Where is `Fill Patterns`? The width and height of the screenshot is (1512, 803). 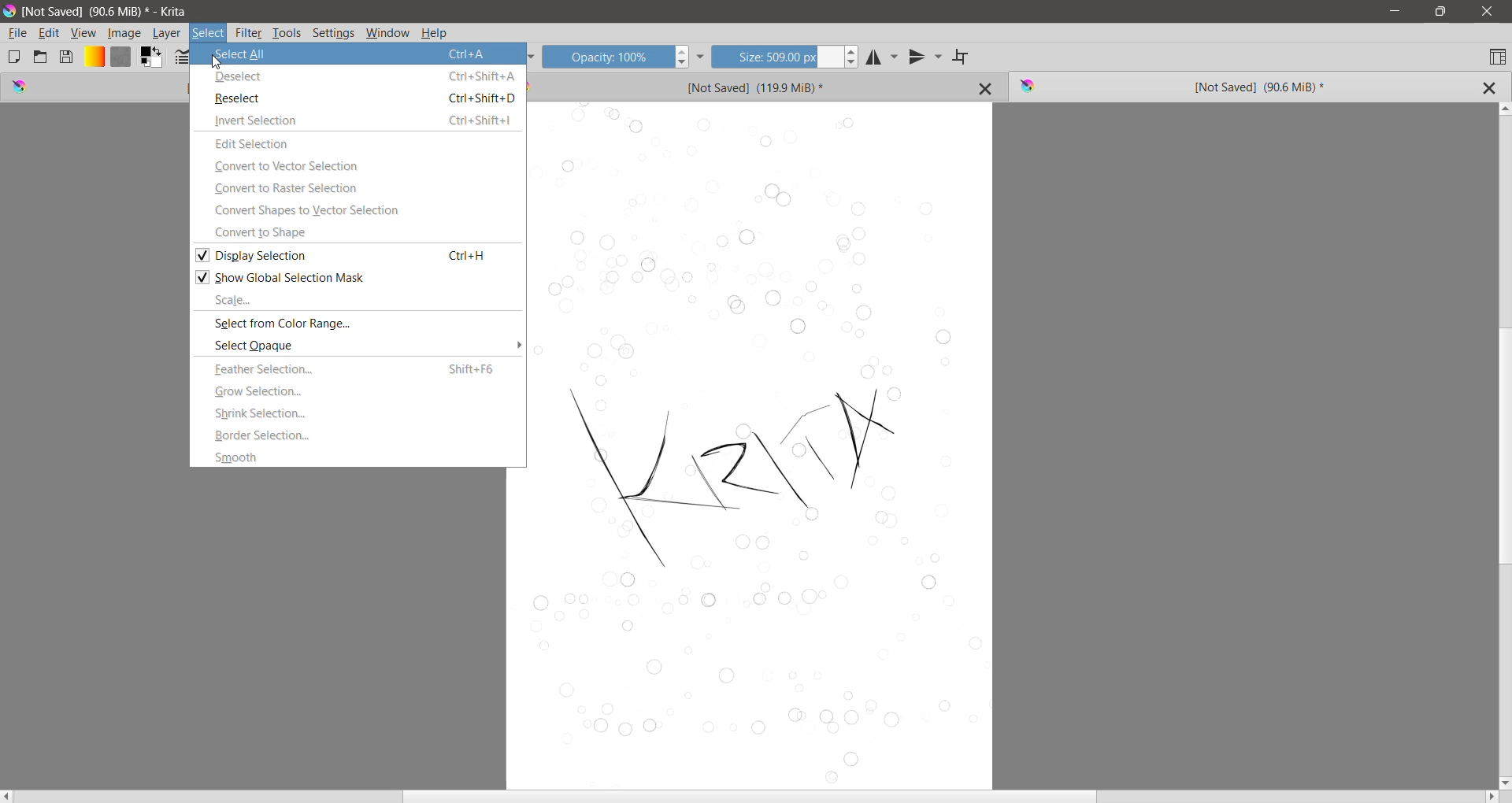 Fill Patterns is located at coordinates (120, 57).